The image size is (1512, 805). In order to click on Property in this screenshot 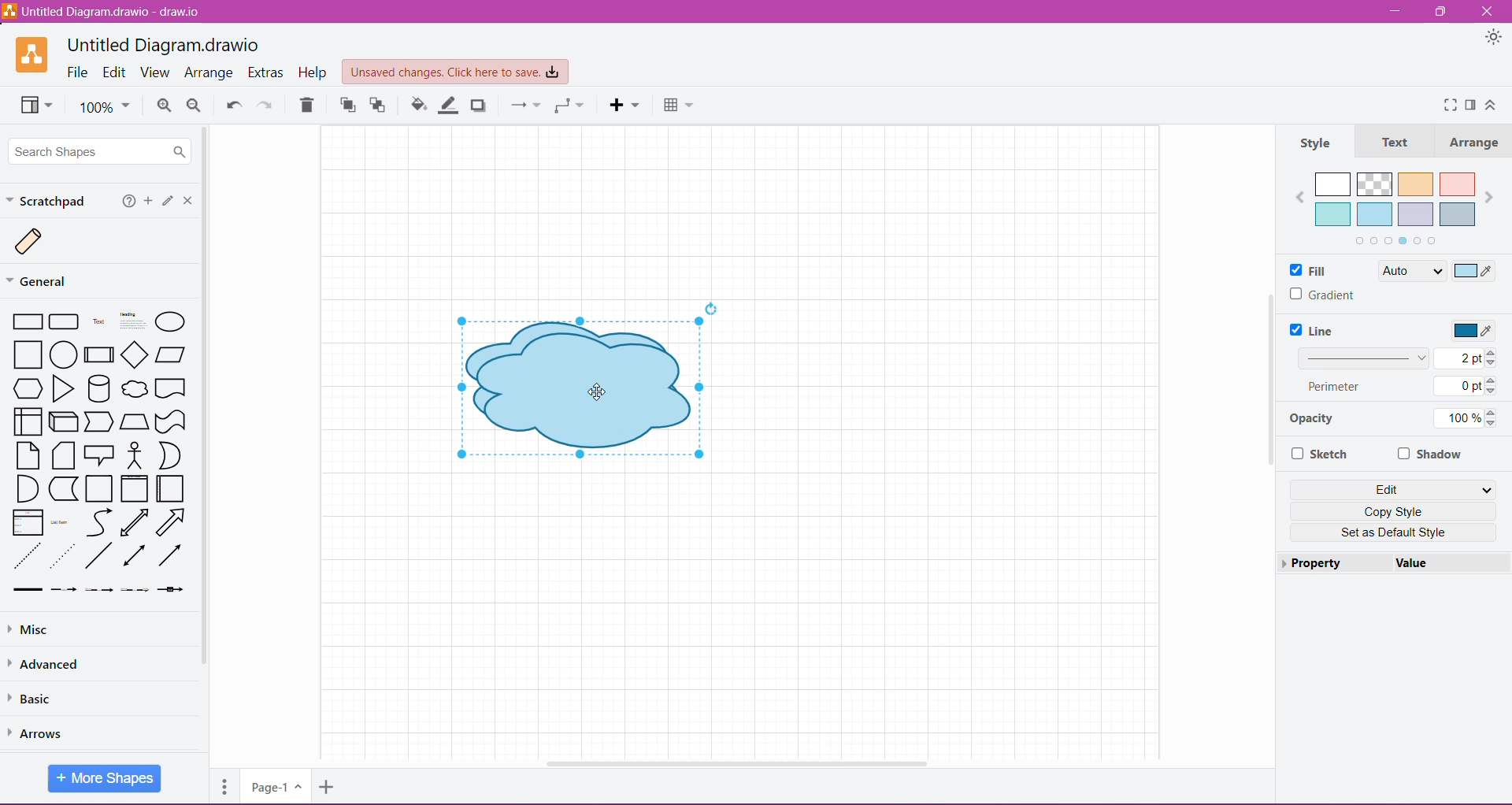, I will do `click(1332, 562)`.